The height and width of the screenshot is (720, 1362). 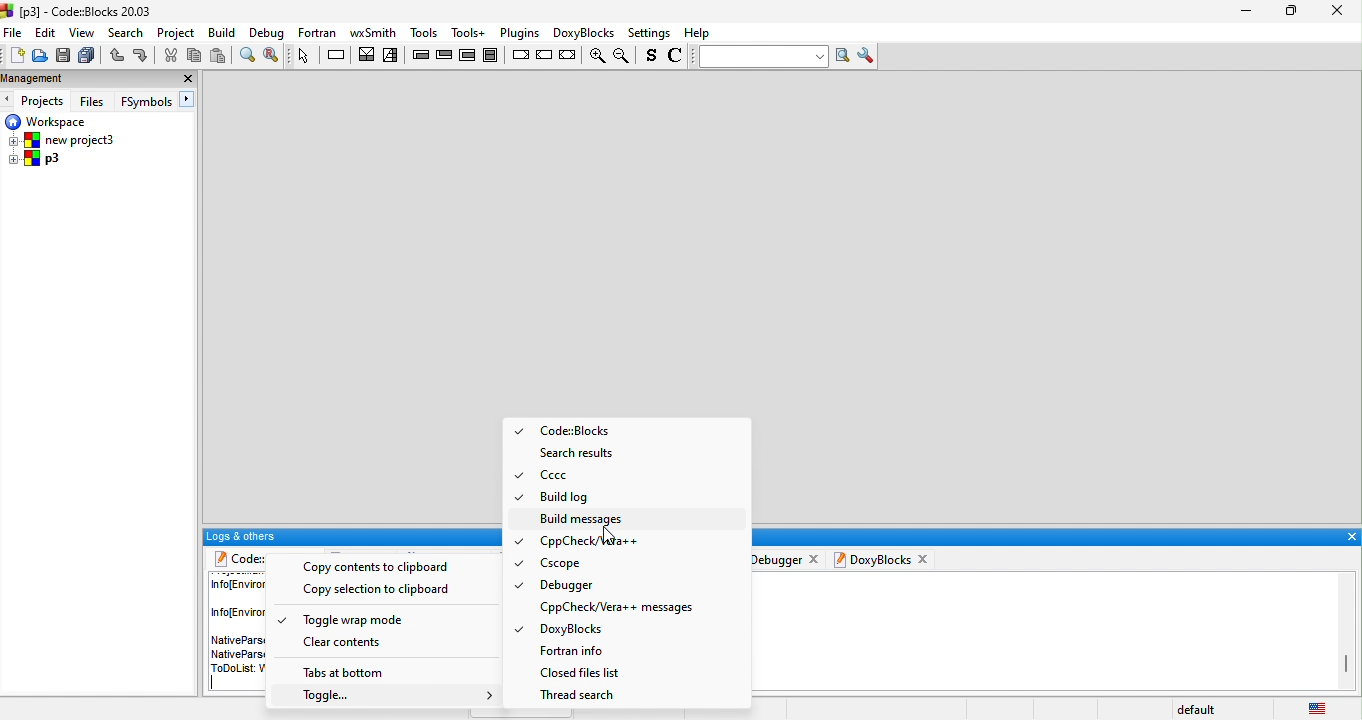 What do you see at coordinates (545, 56) in the screenshot?
I see `continue instruction` at bounding box center [545, 56].